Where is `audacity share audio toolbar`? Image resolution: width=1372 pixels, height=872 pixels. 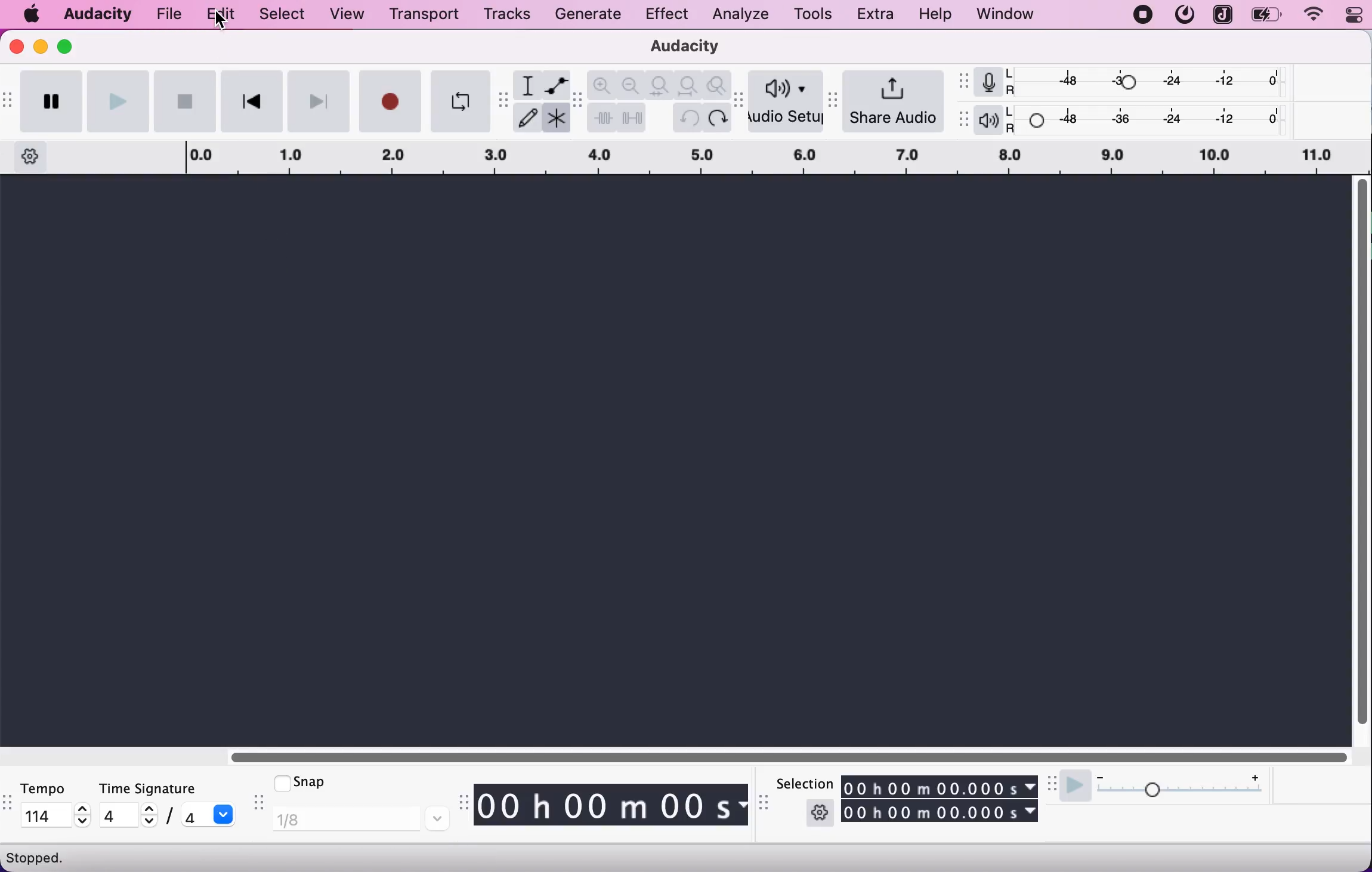 audacity share audio toolbar is located at coordinates (835, 97).